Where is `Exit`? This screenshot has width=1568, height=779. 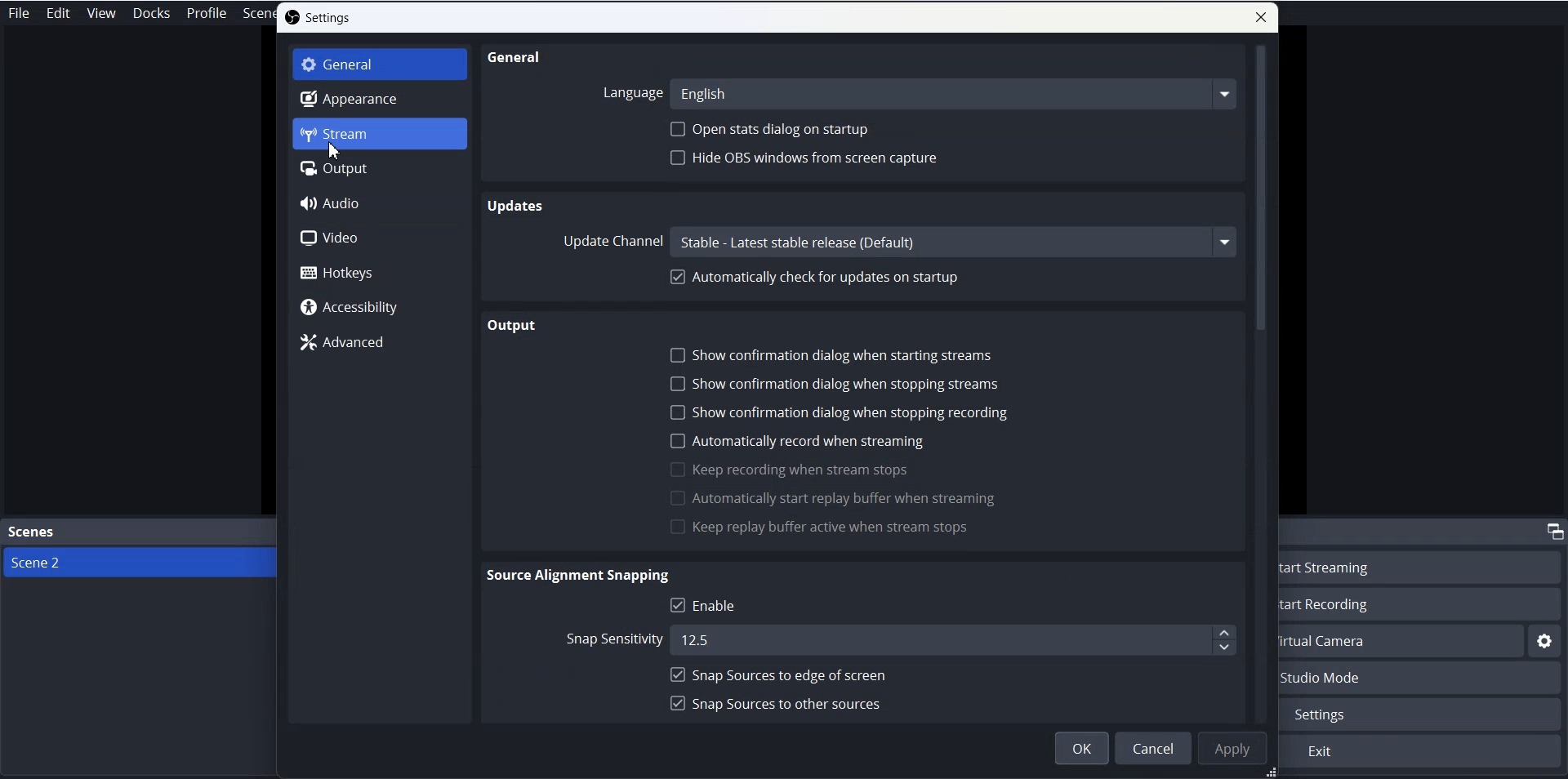
Exit is located at coordinates (1422, 752).